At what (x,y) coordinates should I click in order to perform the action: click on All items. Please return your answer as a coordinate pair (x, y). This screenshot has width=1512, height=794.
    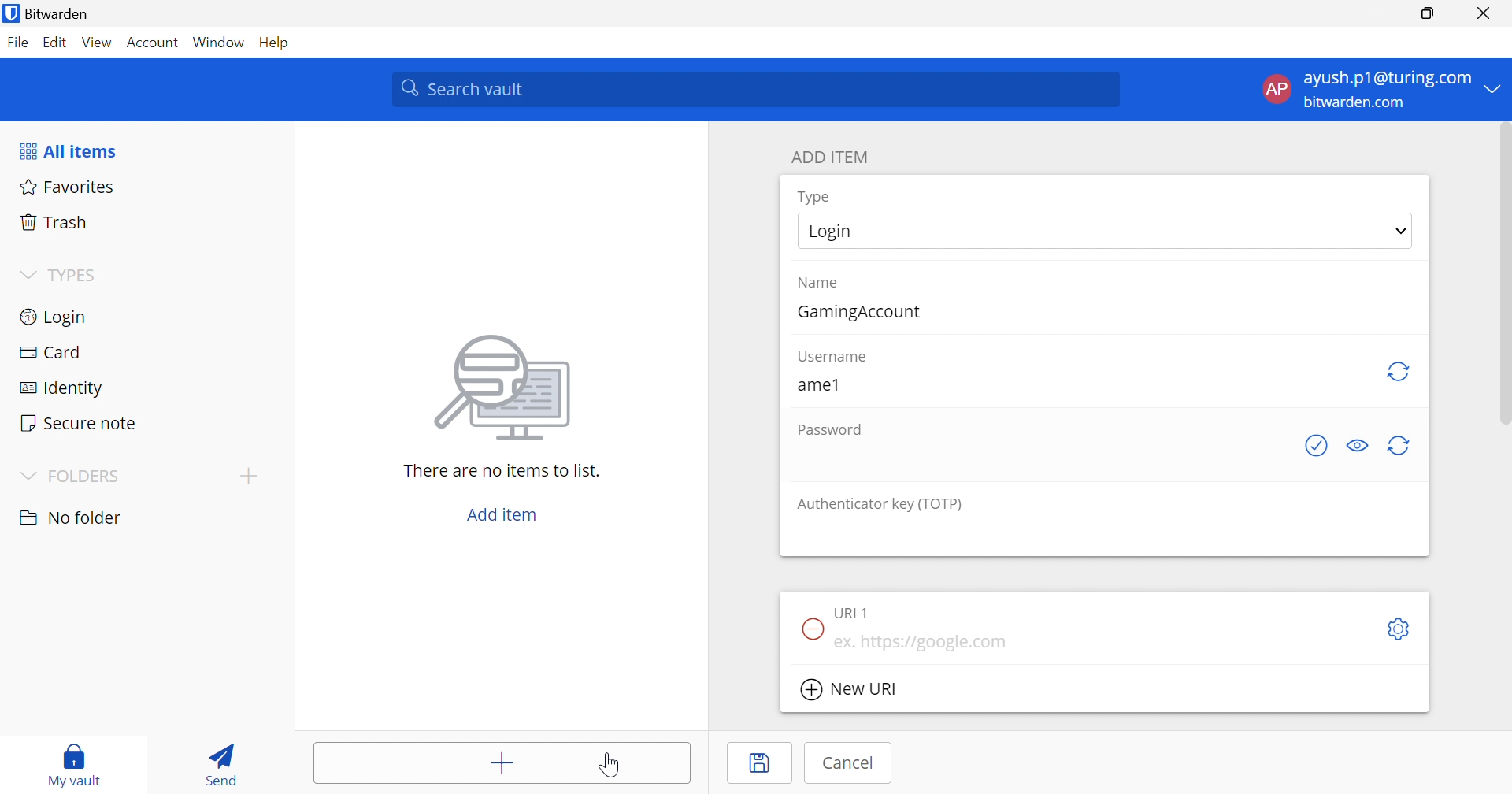
    Looking at the image, I should click on (67, 151).